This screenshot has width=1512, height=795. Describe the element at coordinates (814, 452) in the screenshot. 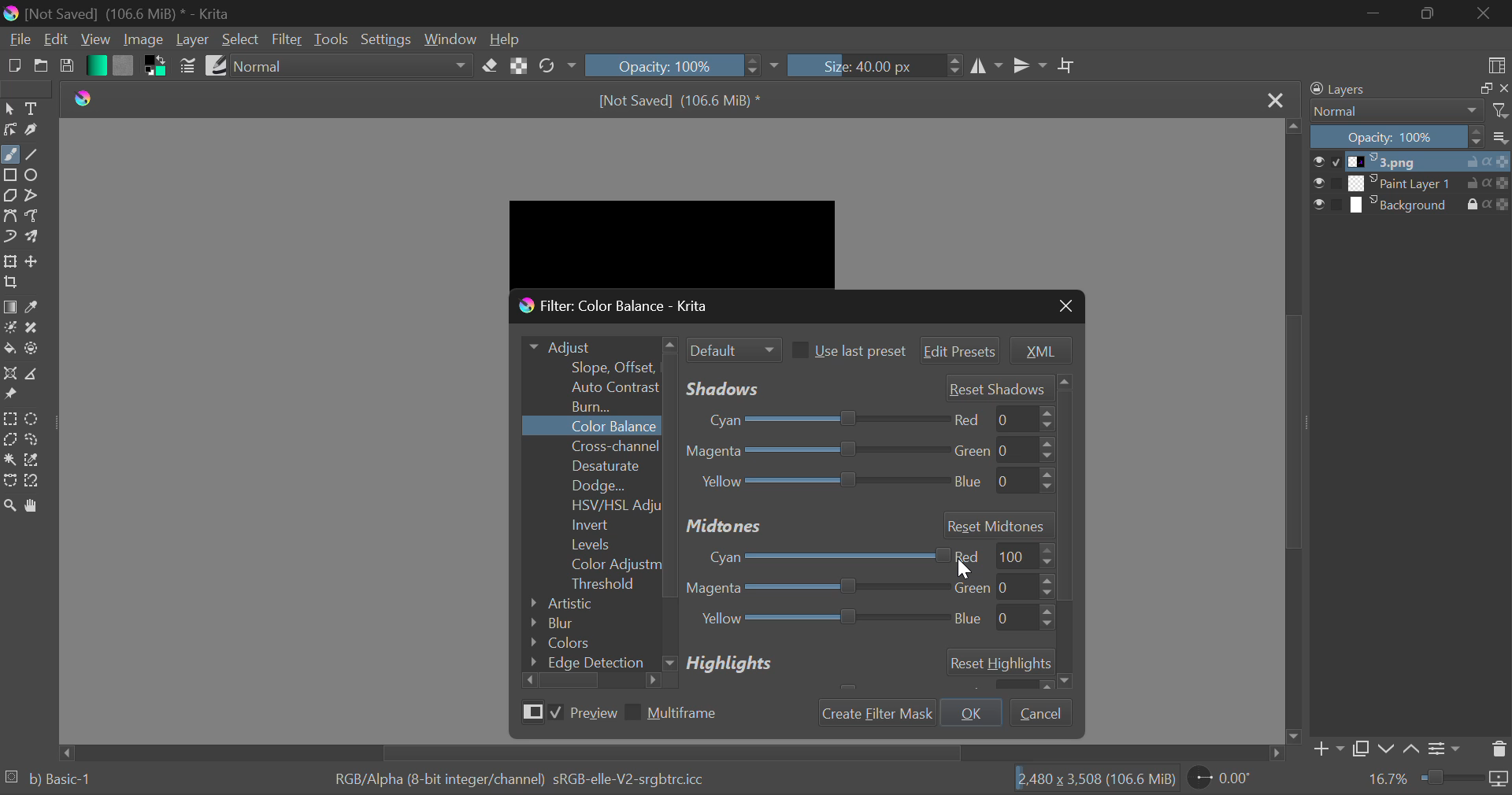

I see `Magenta-Green Slider` at that location.